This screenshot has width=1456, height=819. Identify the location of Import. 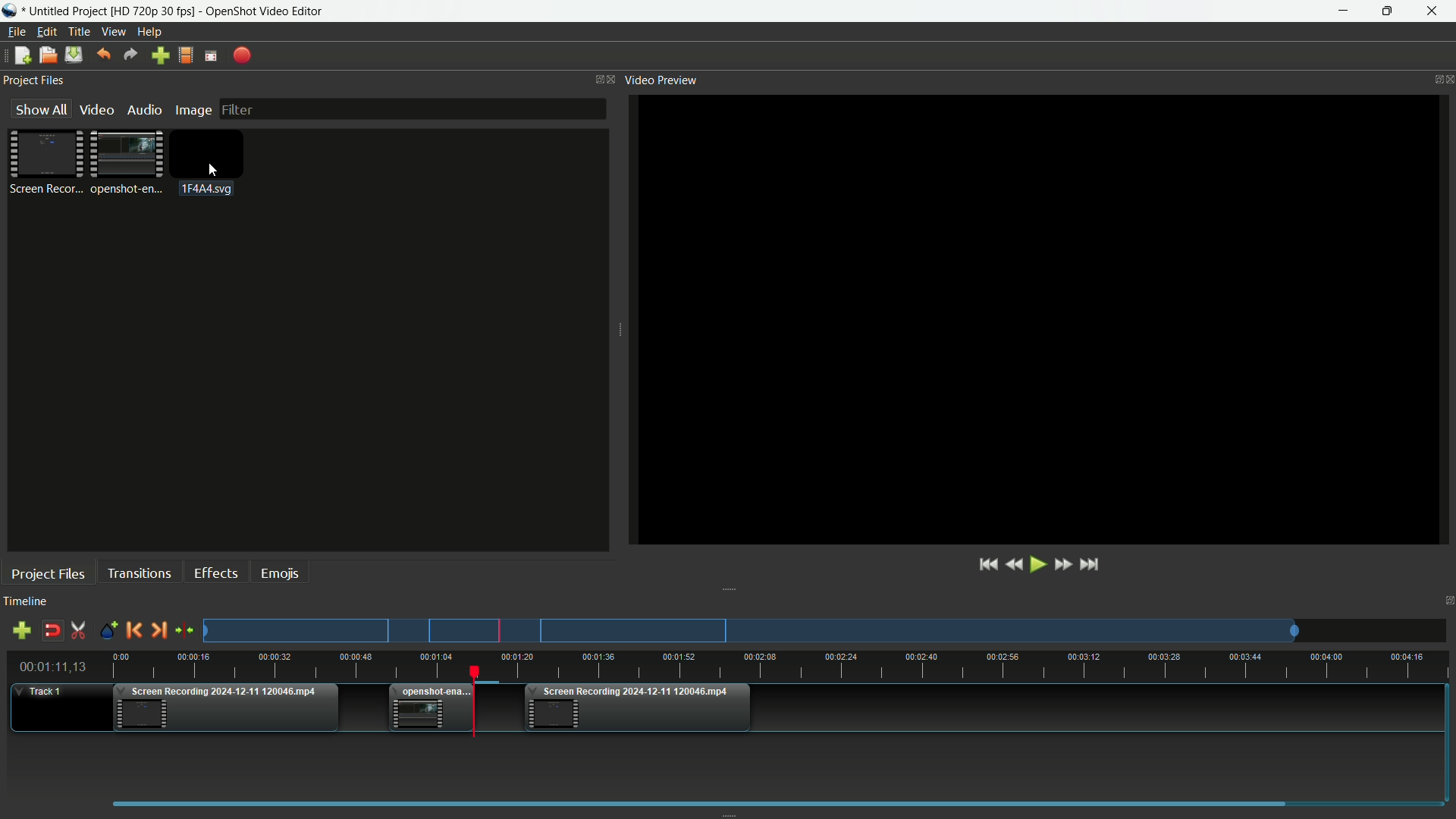
(162, 57).